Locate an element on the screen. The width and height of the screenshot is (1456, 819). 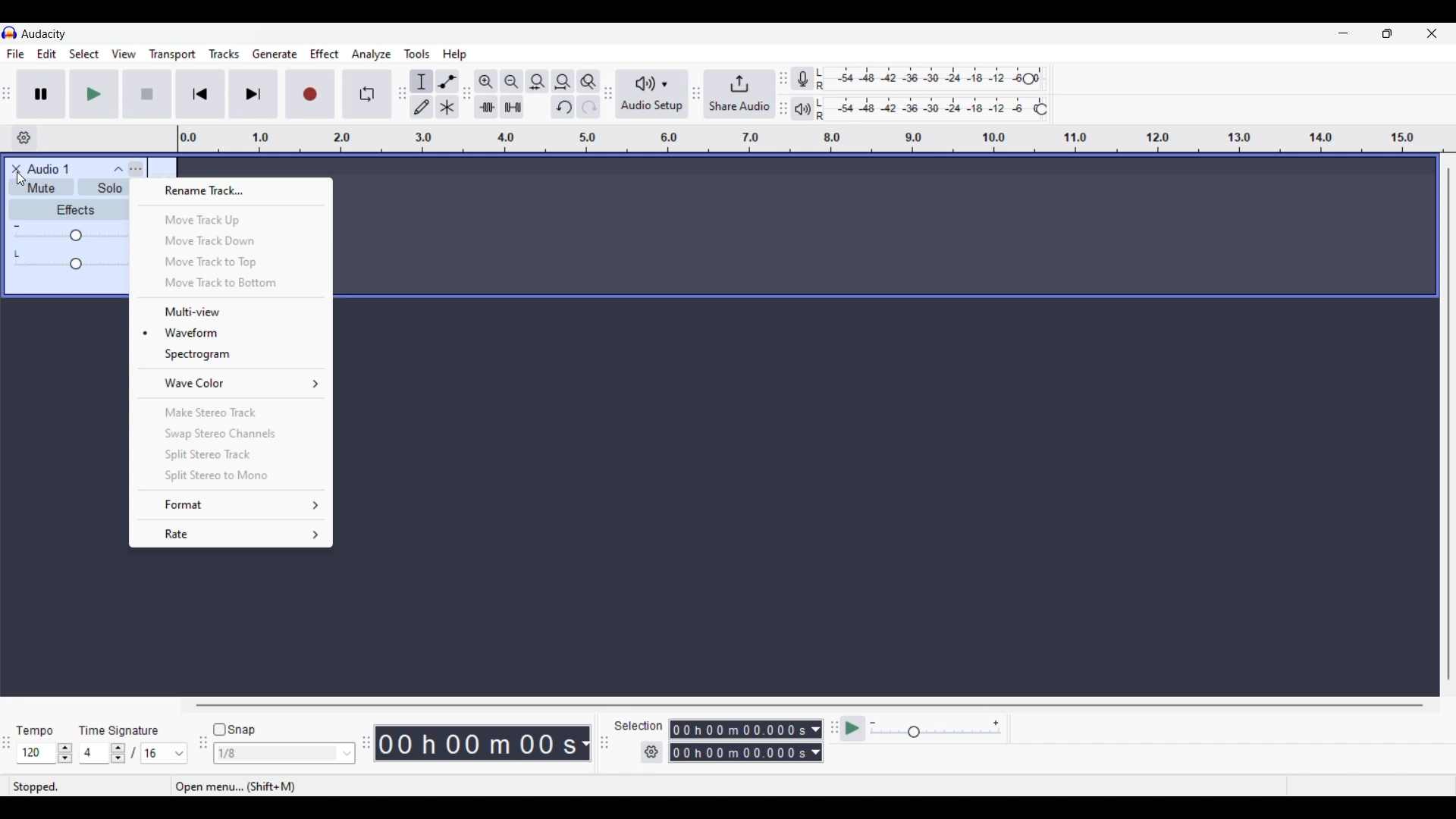
Trim audio outside selection is located at coordinates (485, 106).